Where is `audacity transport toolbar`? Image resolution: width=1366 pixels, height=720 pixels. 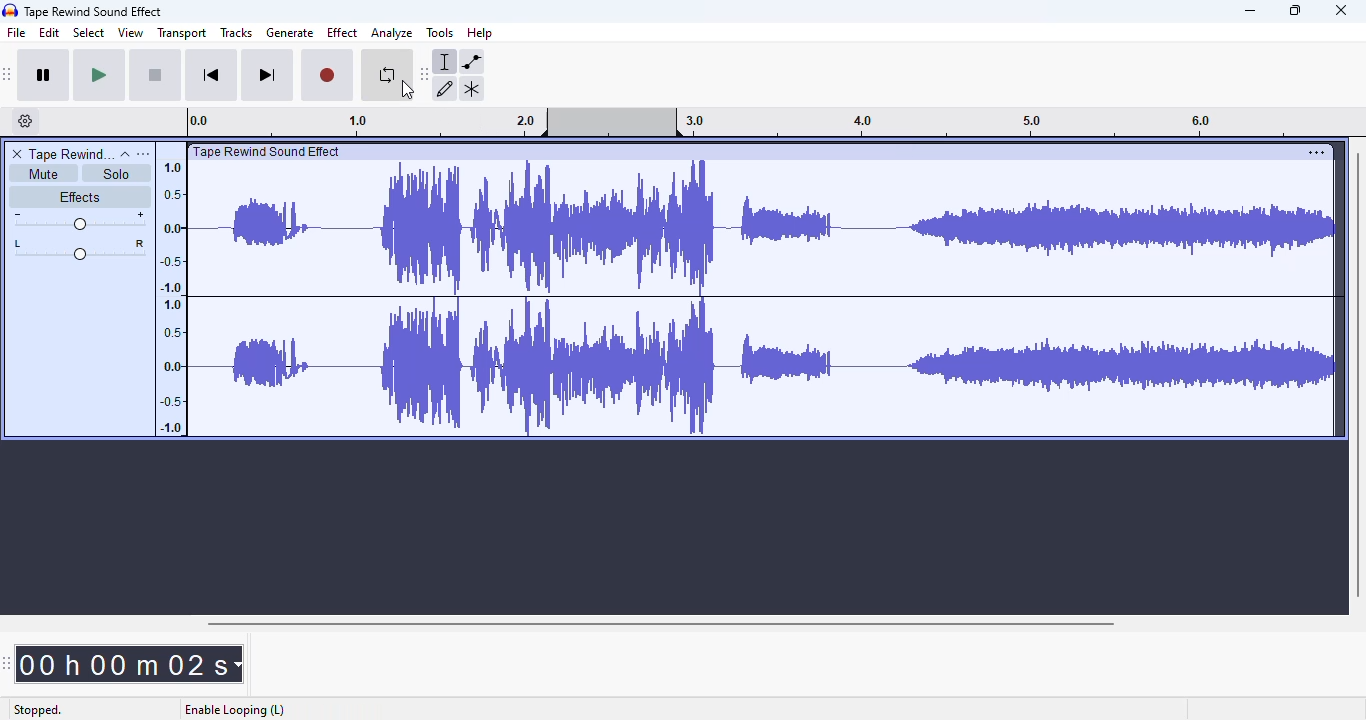 audacity transport toolbar is located at coordinates (7, 75).